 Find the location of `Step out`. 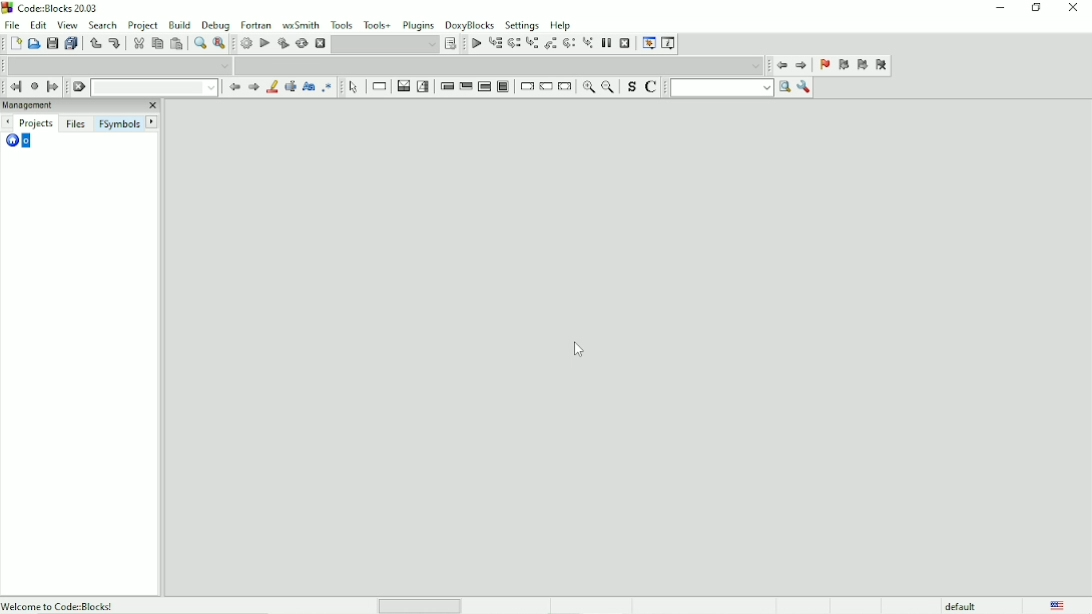

Step out is located at coordinates (550, 45).